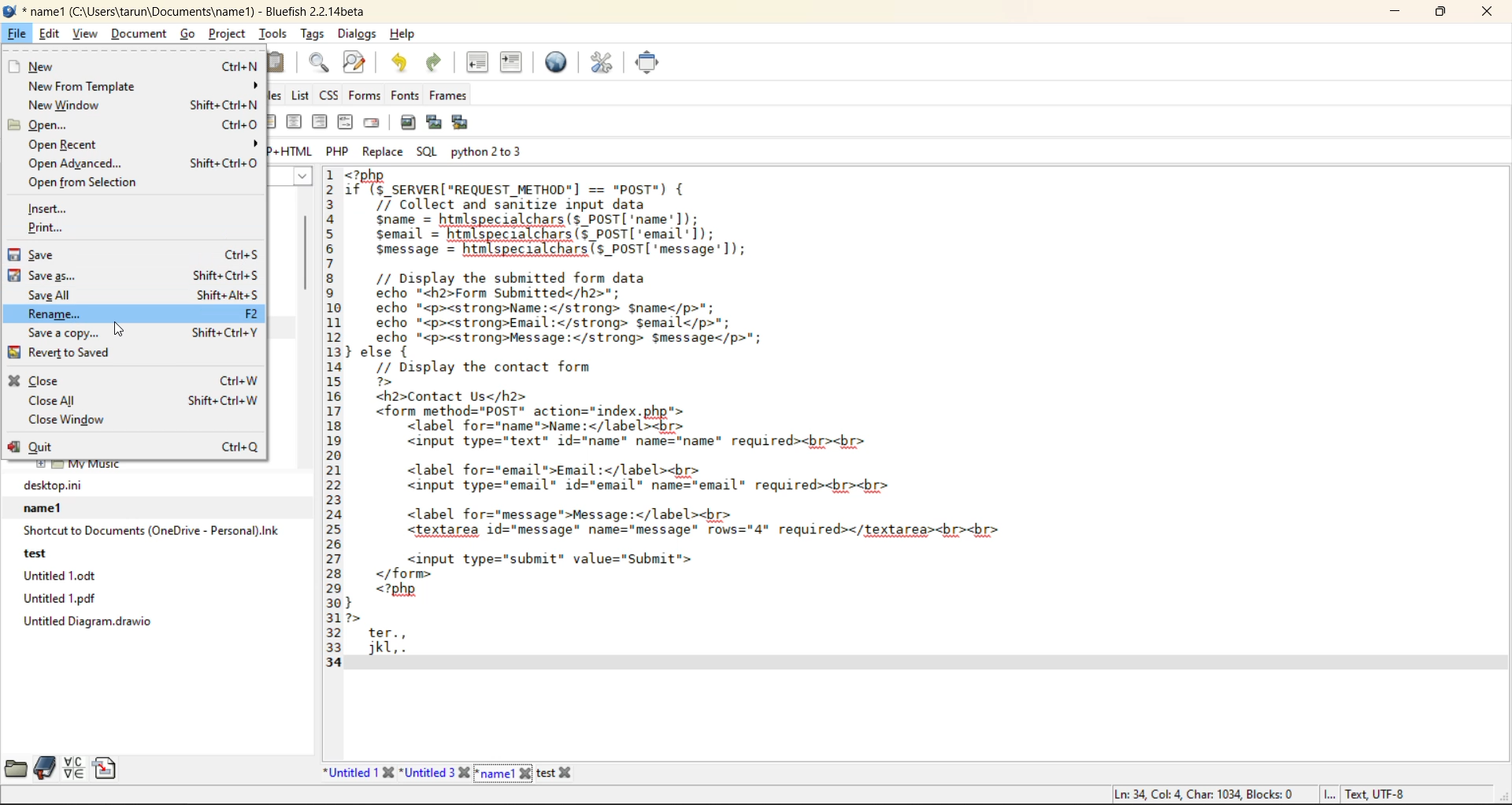 Image resolution: width=1512 pixels, height=805 pixels. Describe the element at coordinates (1399, 15) in the screenshot. I see `minimize` at that location.